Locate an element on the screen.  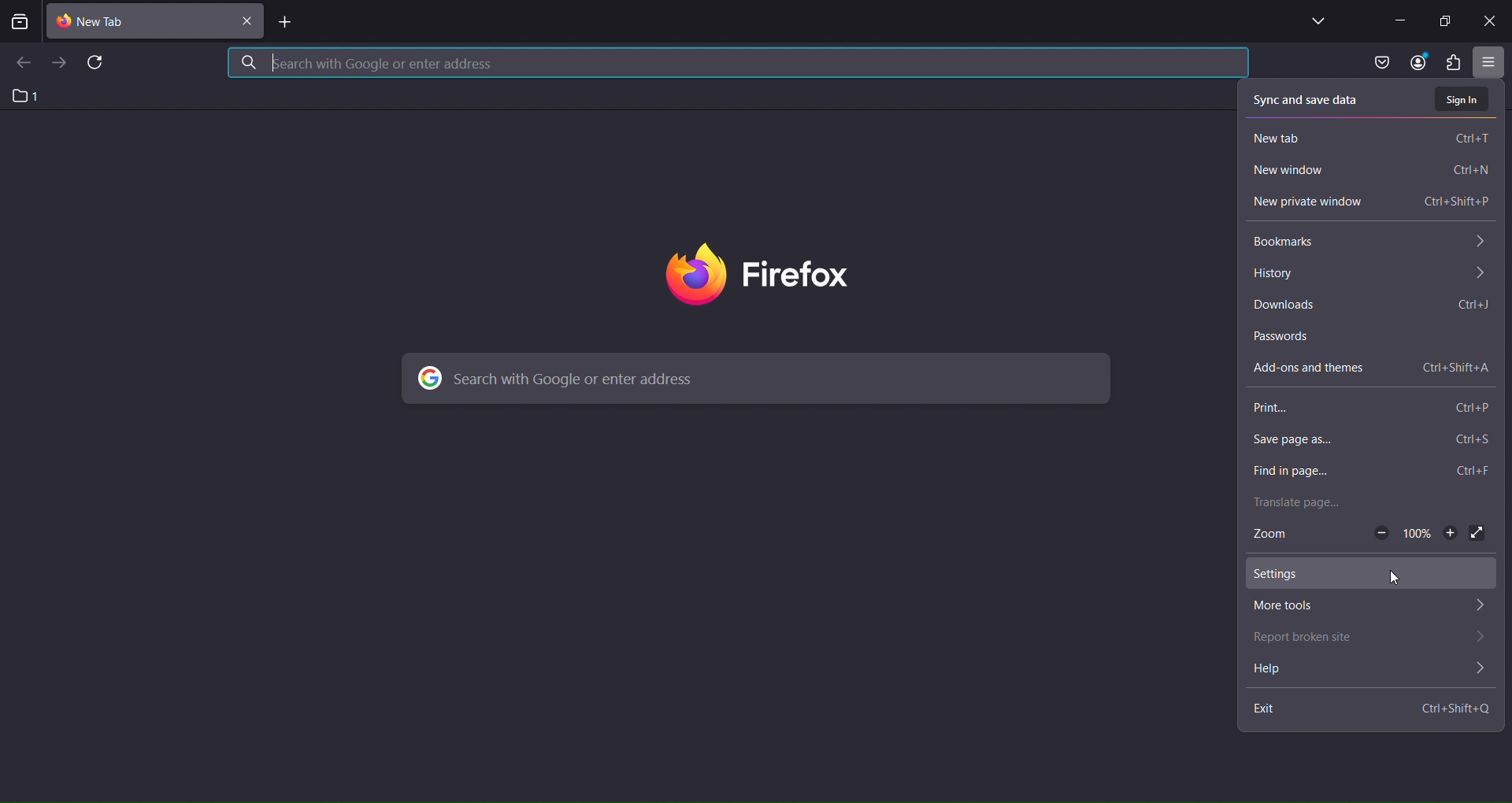
add ons and themes is located at coordinates (1372, 363).